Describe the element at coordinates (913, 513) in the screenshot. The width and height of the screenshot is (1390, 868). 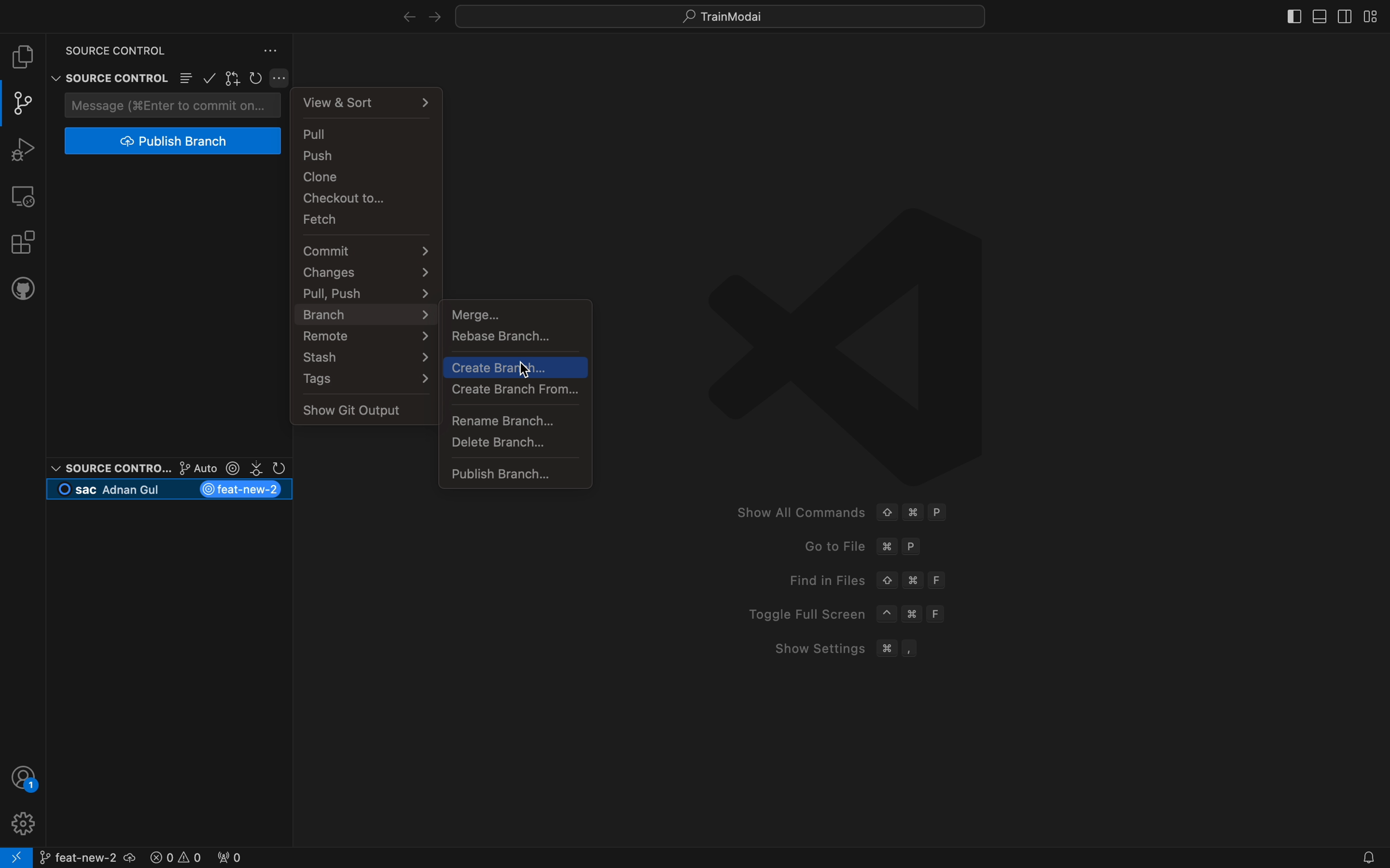
I see `Command` at that location.